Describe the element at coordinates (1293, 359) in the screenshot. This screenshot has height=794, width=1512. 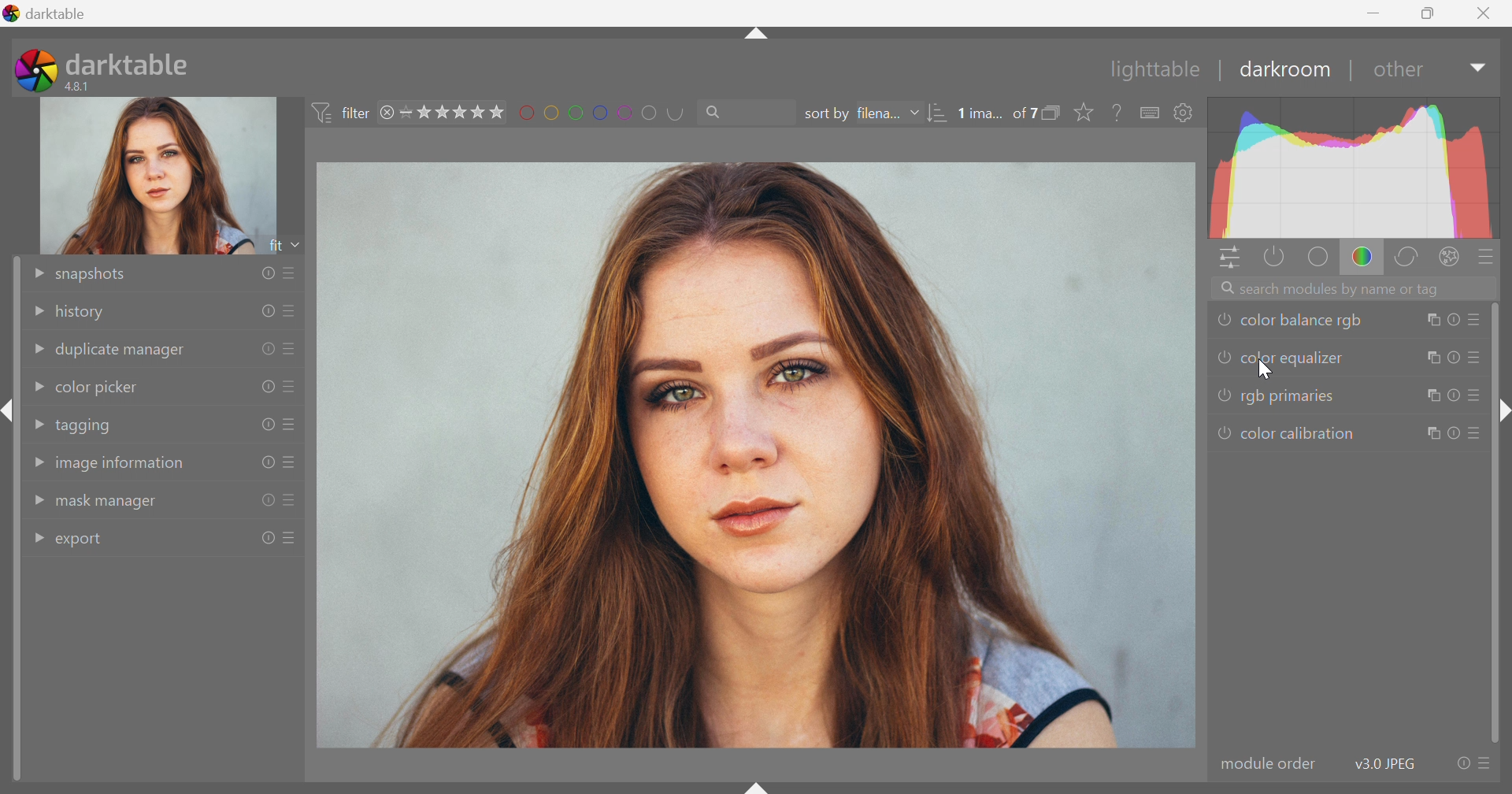
I see `color equalizer` at that location.